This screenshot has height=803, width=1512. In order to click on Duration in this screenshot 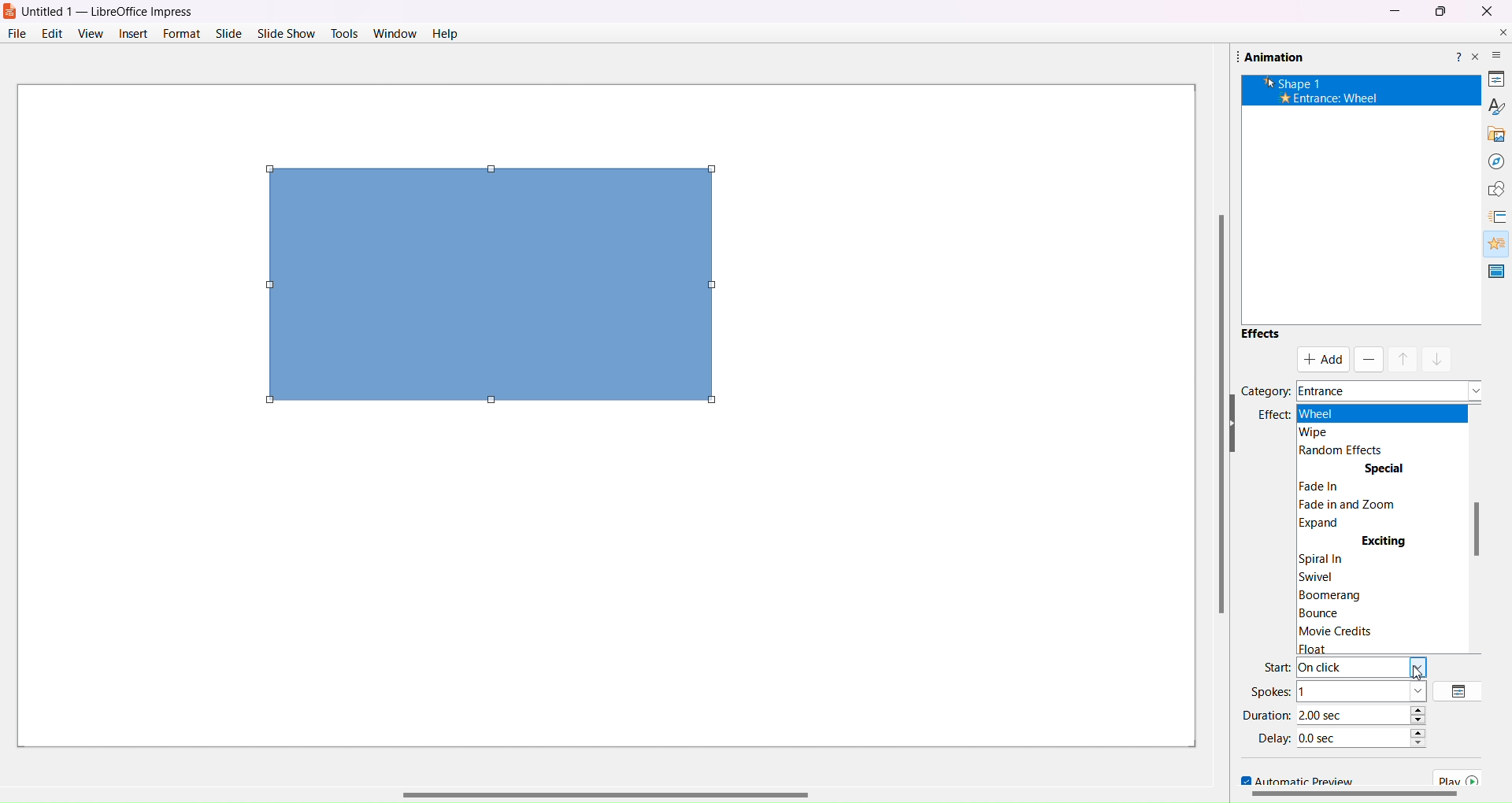, I will do `click(1266, 714)`.